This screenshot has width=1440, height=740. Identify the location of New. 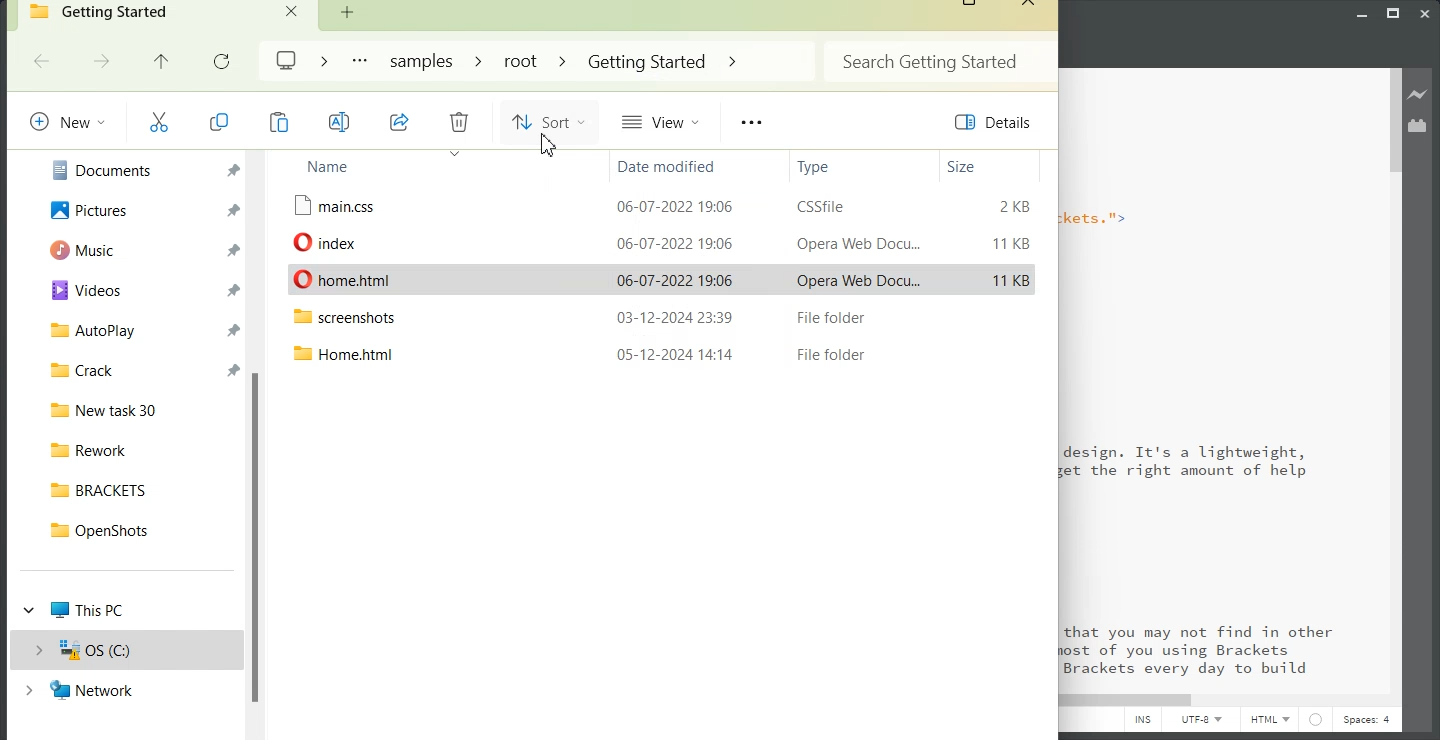
(66, 121).